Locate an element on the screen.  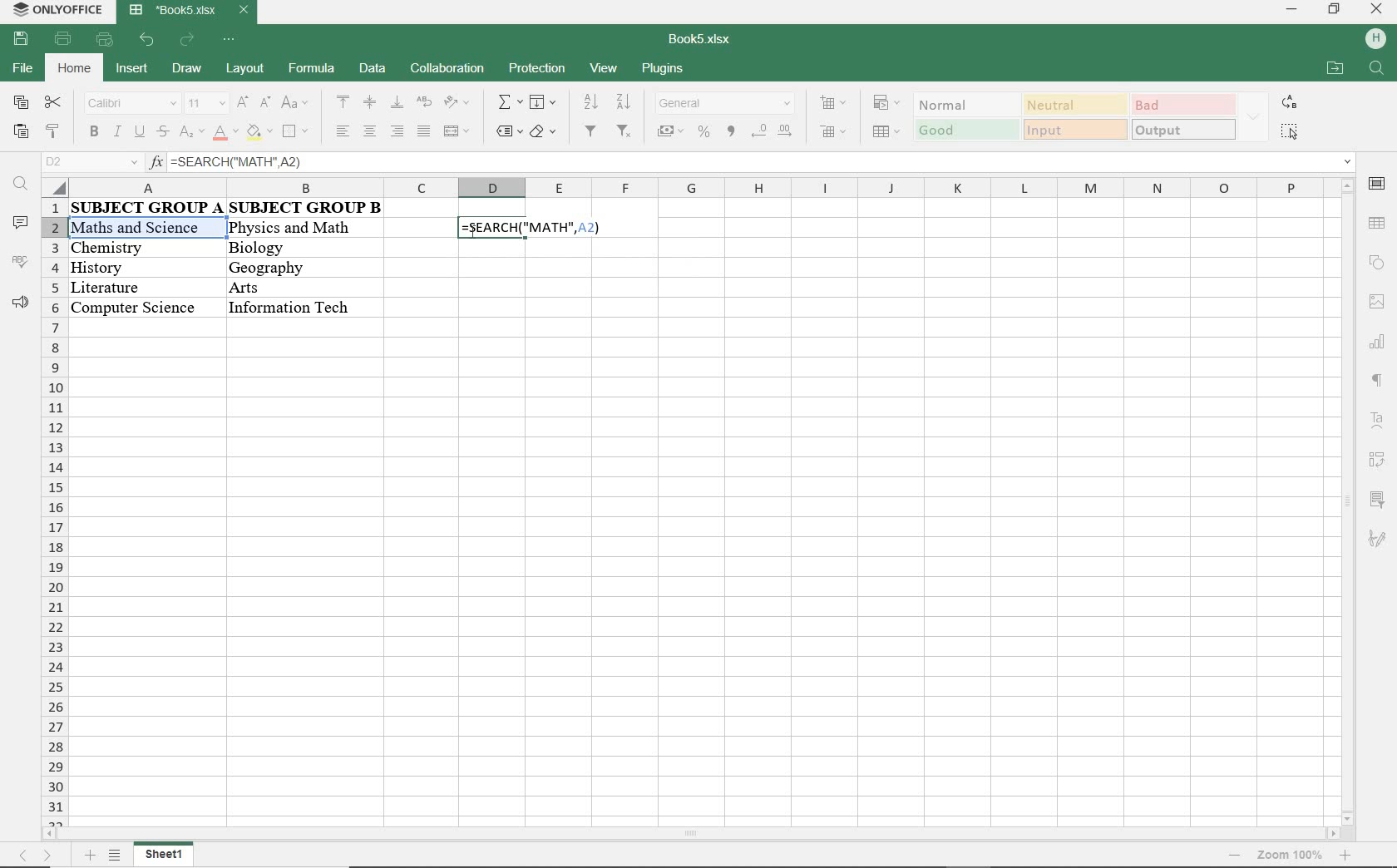
search is located at coordinates (1376, 72).